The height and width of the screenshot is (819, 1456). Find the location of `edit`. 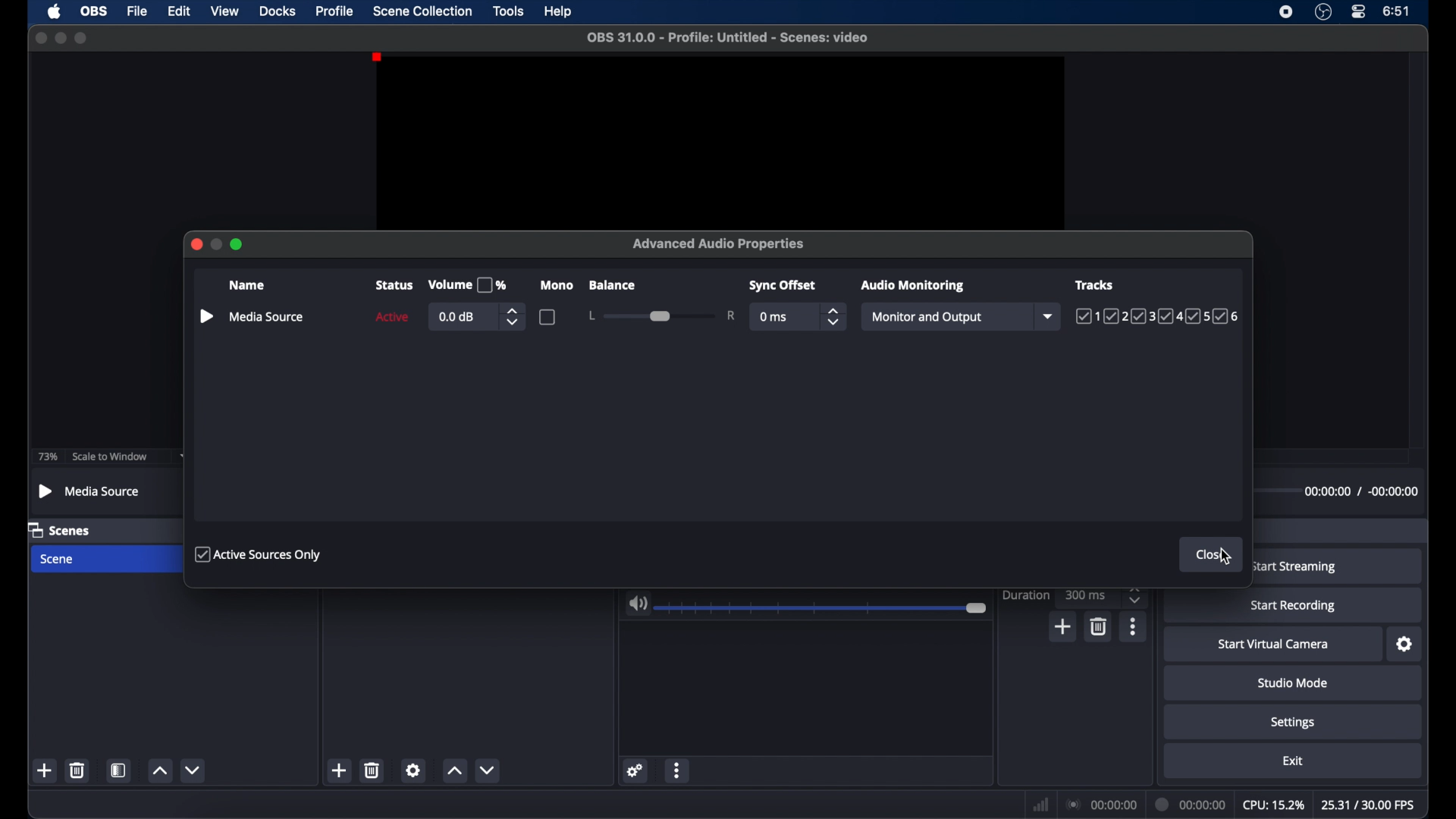

edit is located at coordinates (179, 12).